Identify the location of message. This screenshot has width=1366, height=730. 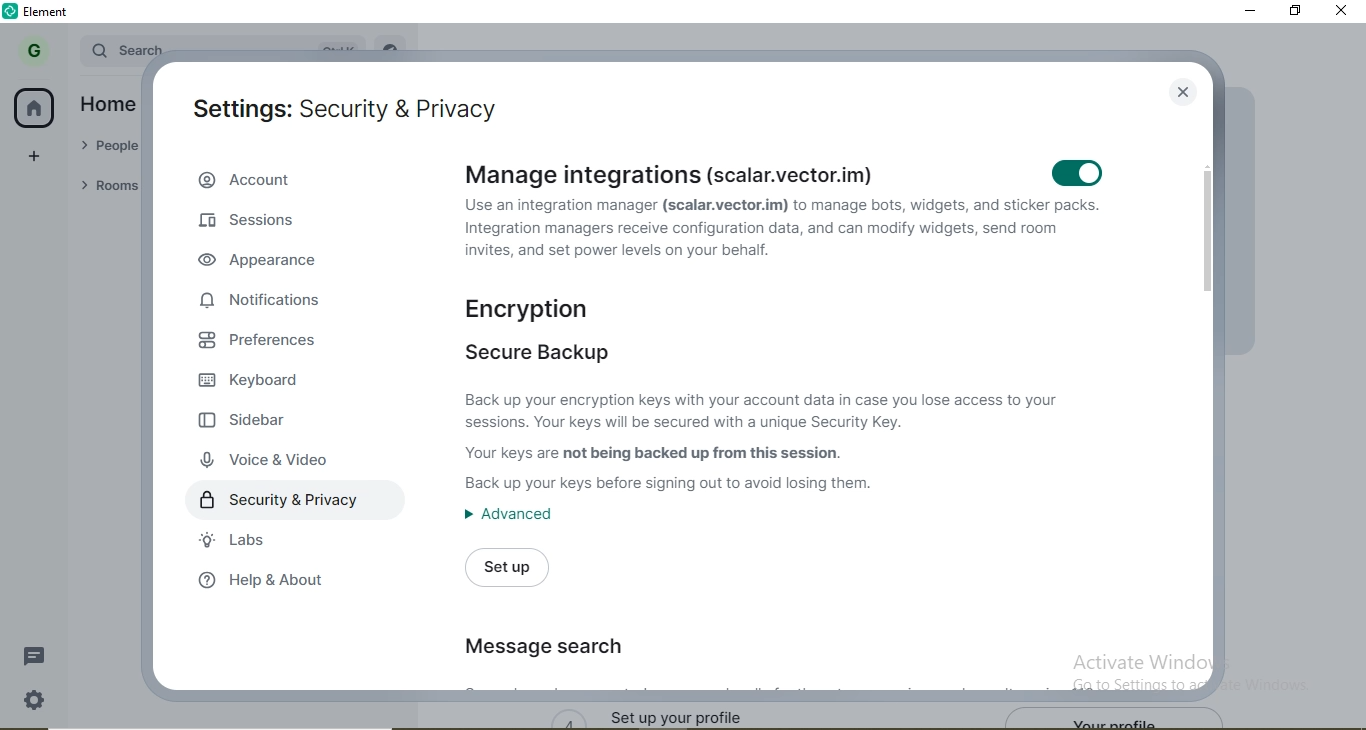
(37, 656).